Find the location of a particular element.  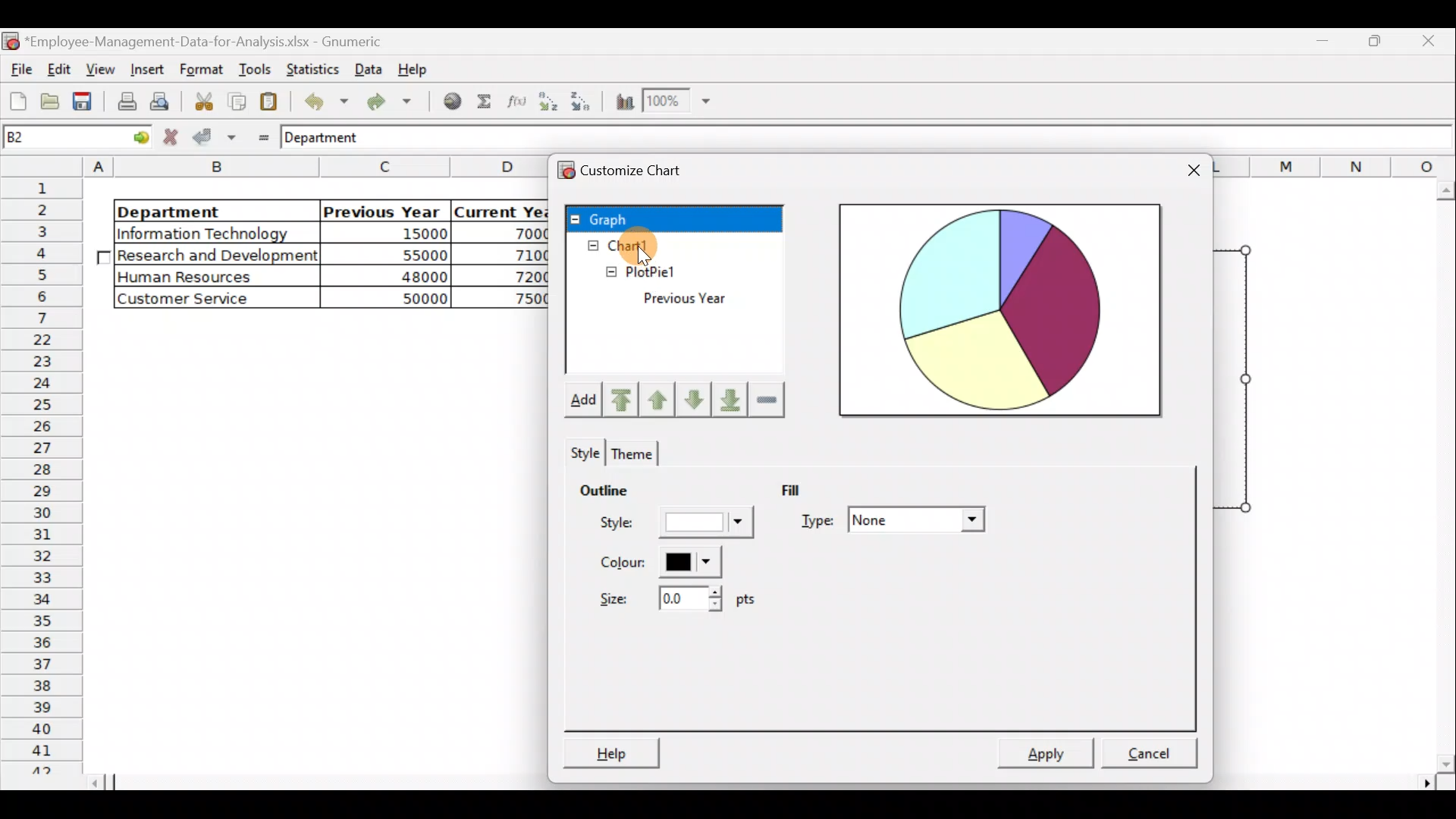

Customize chart is located at coordinates (651, 171).